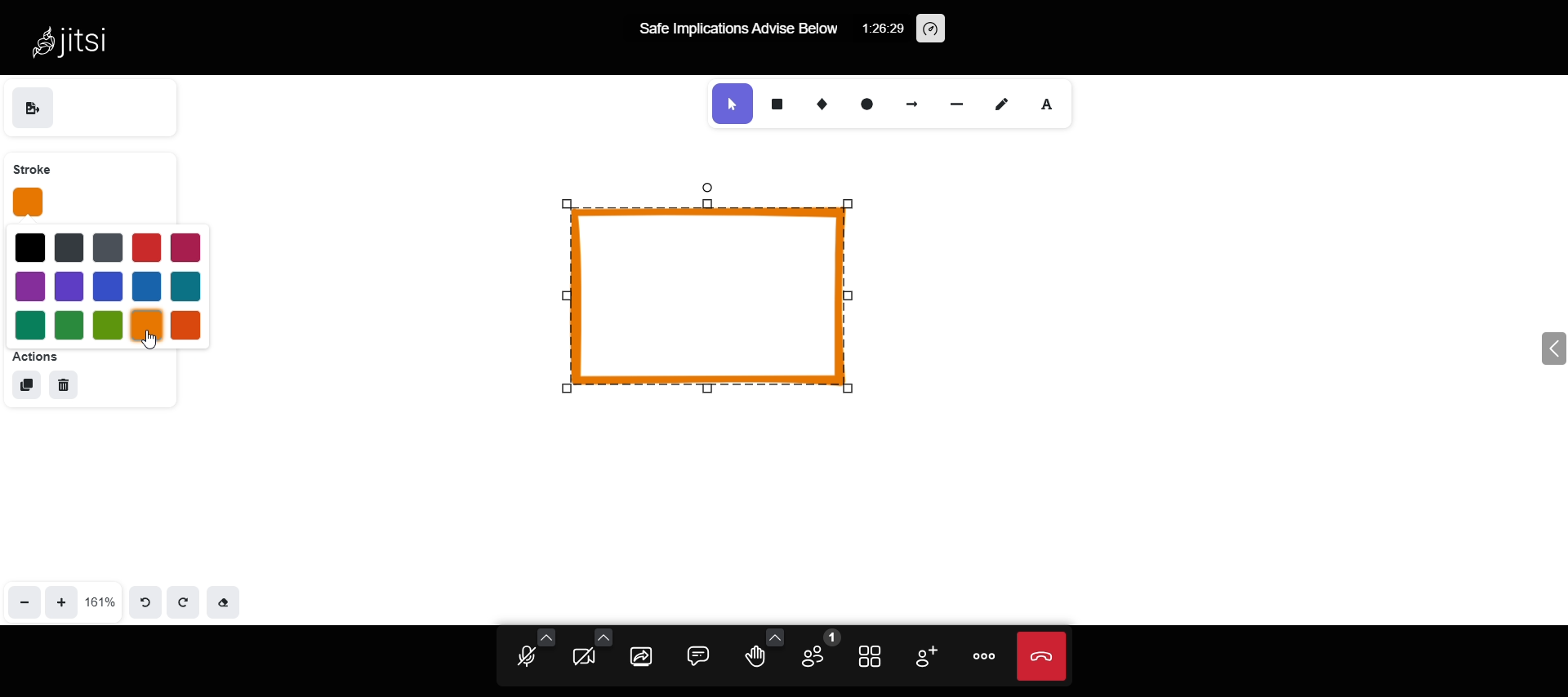 The width and height of the screenshot is (1568, 697). I want to click on magenta, so click(186, 248).